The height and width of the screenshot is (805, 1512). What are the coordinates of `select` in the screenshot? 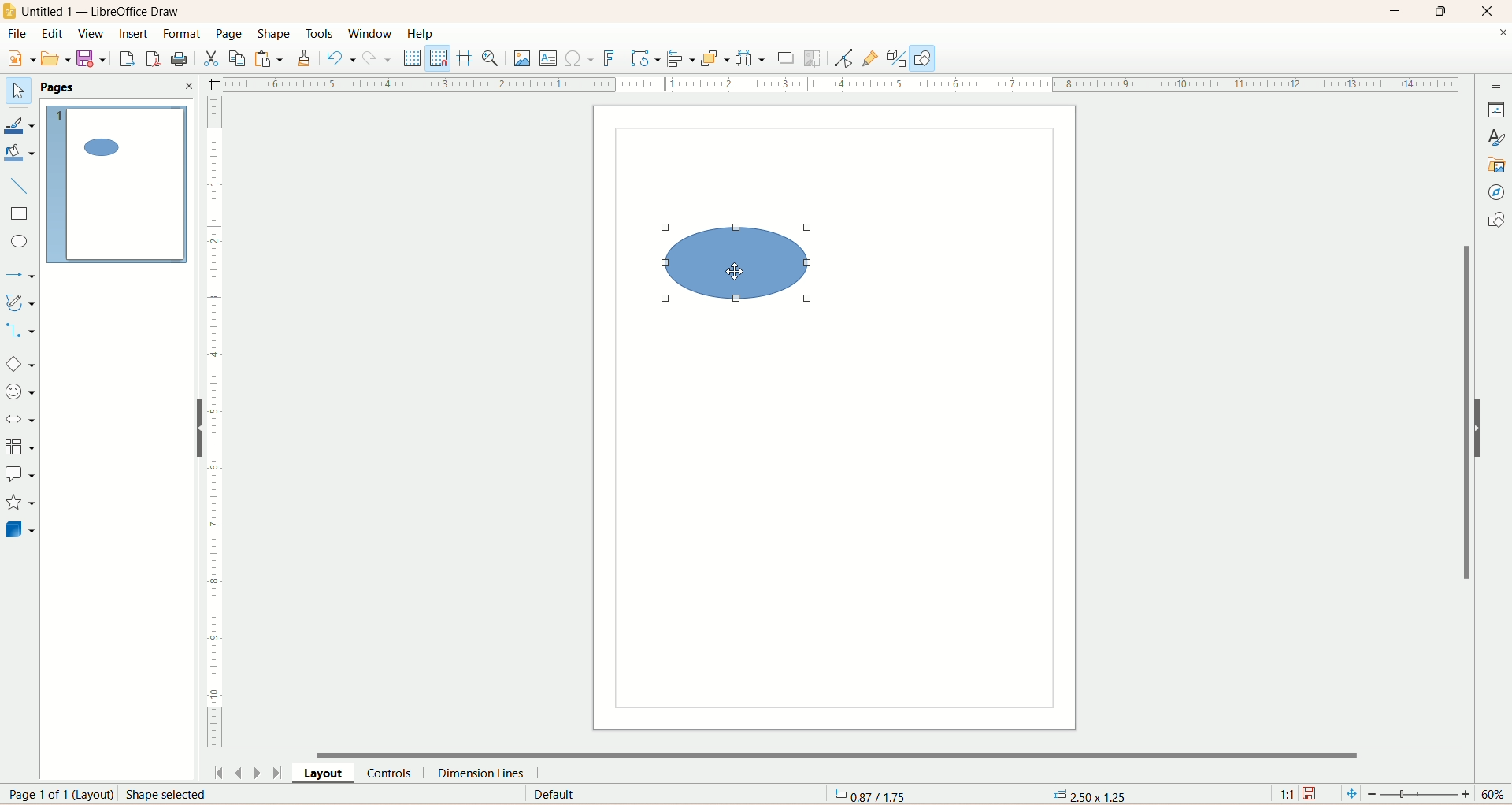 It's located at (19, 91).